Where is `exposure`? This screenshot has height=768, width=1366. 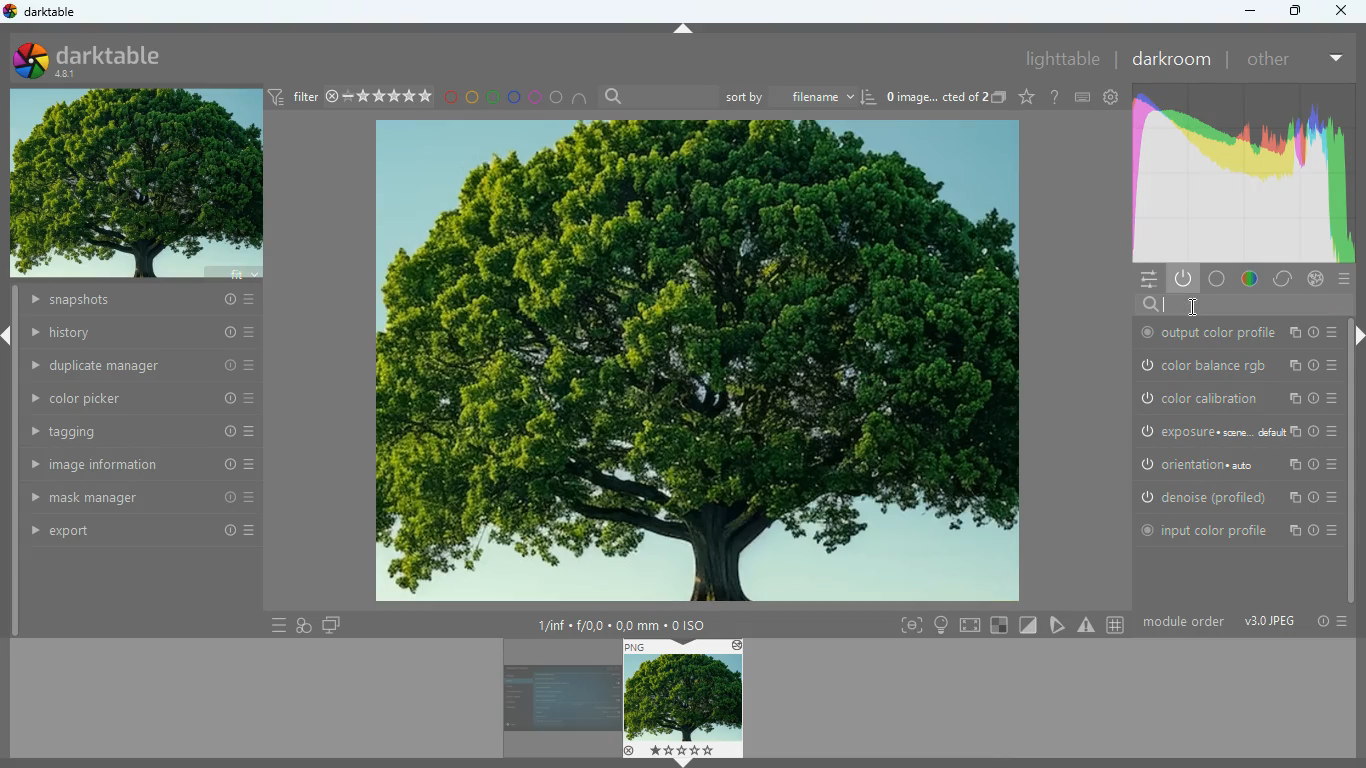
exposure is located at coordinates (1233, 431).